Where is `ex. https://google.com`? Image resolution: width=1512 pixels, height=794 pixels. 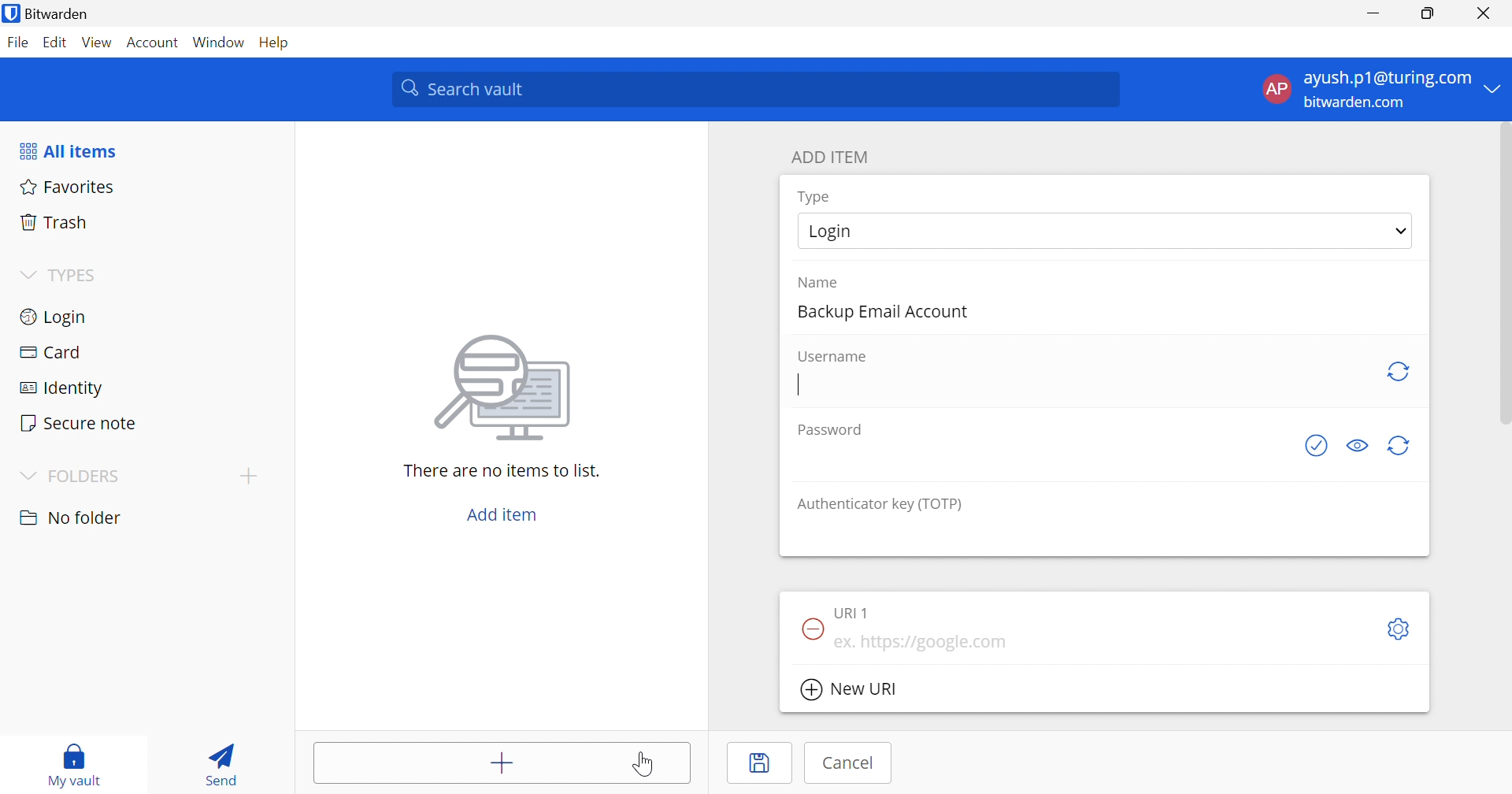 ex. https://google.com is located at coordinates (921, 642).